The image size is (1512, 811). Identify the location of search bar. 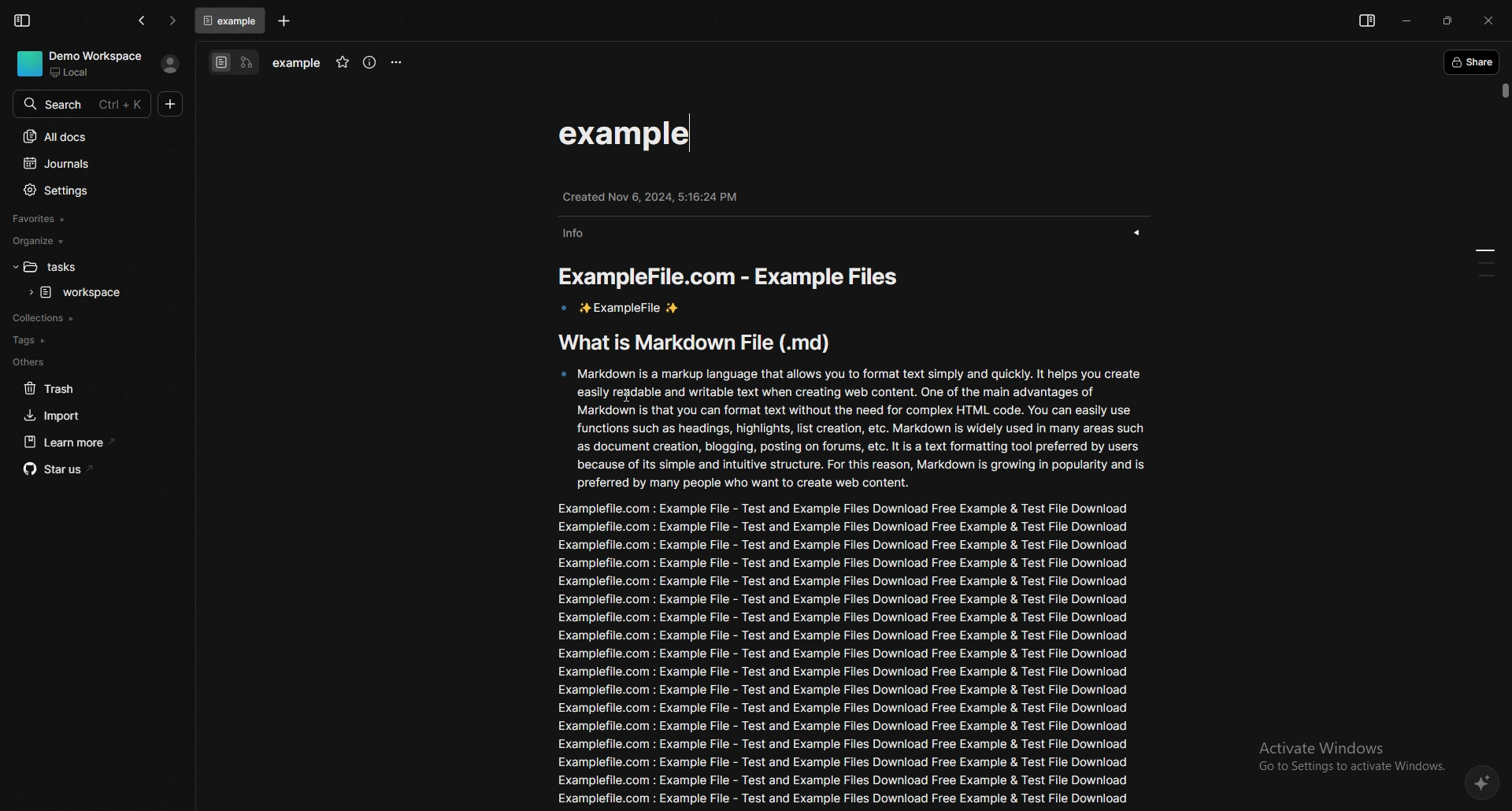
(82, 102).